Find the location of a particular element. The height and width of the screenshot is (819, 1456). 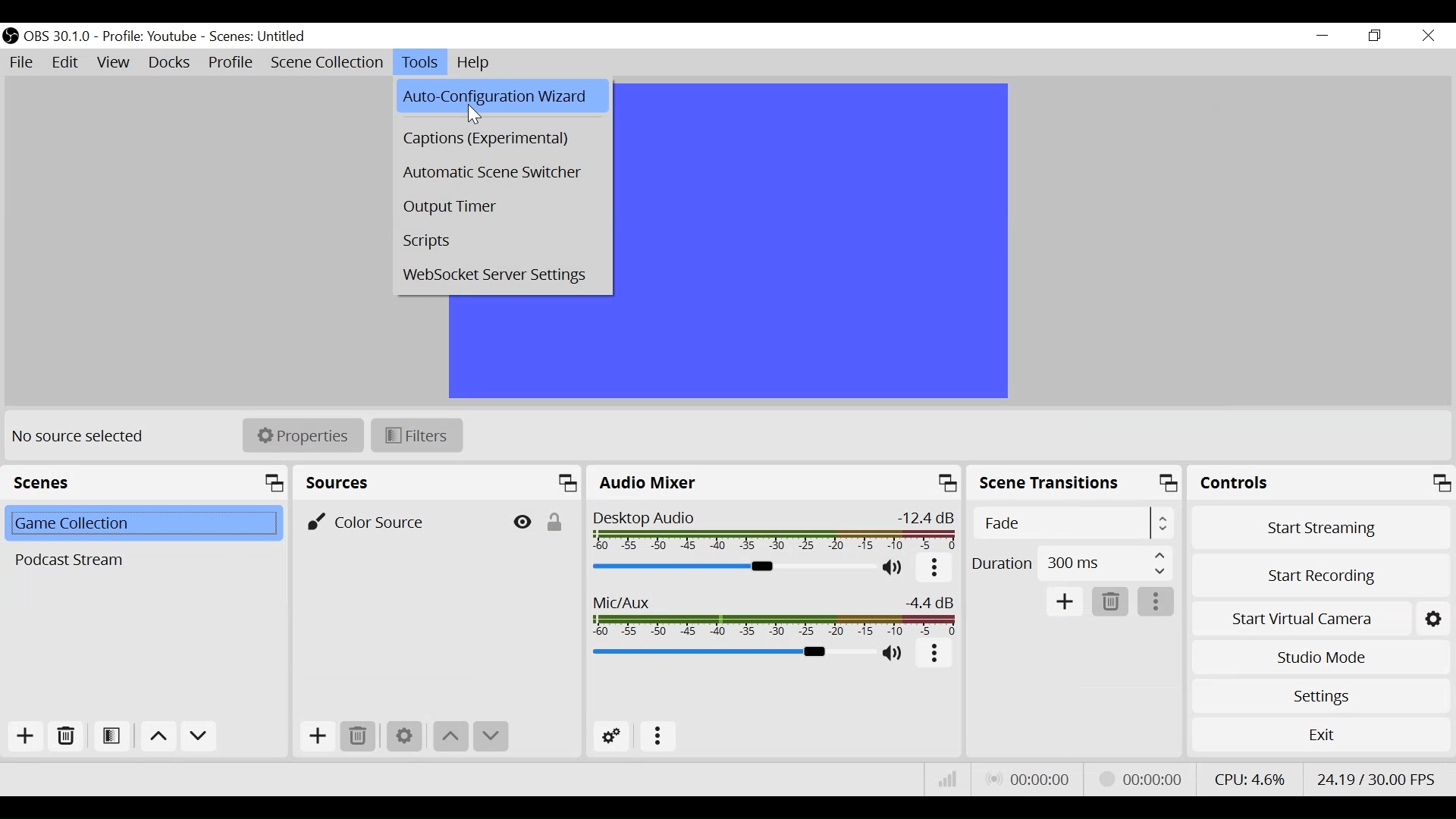

Tools is located at coordinates (420, 63).